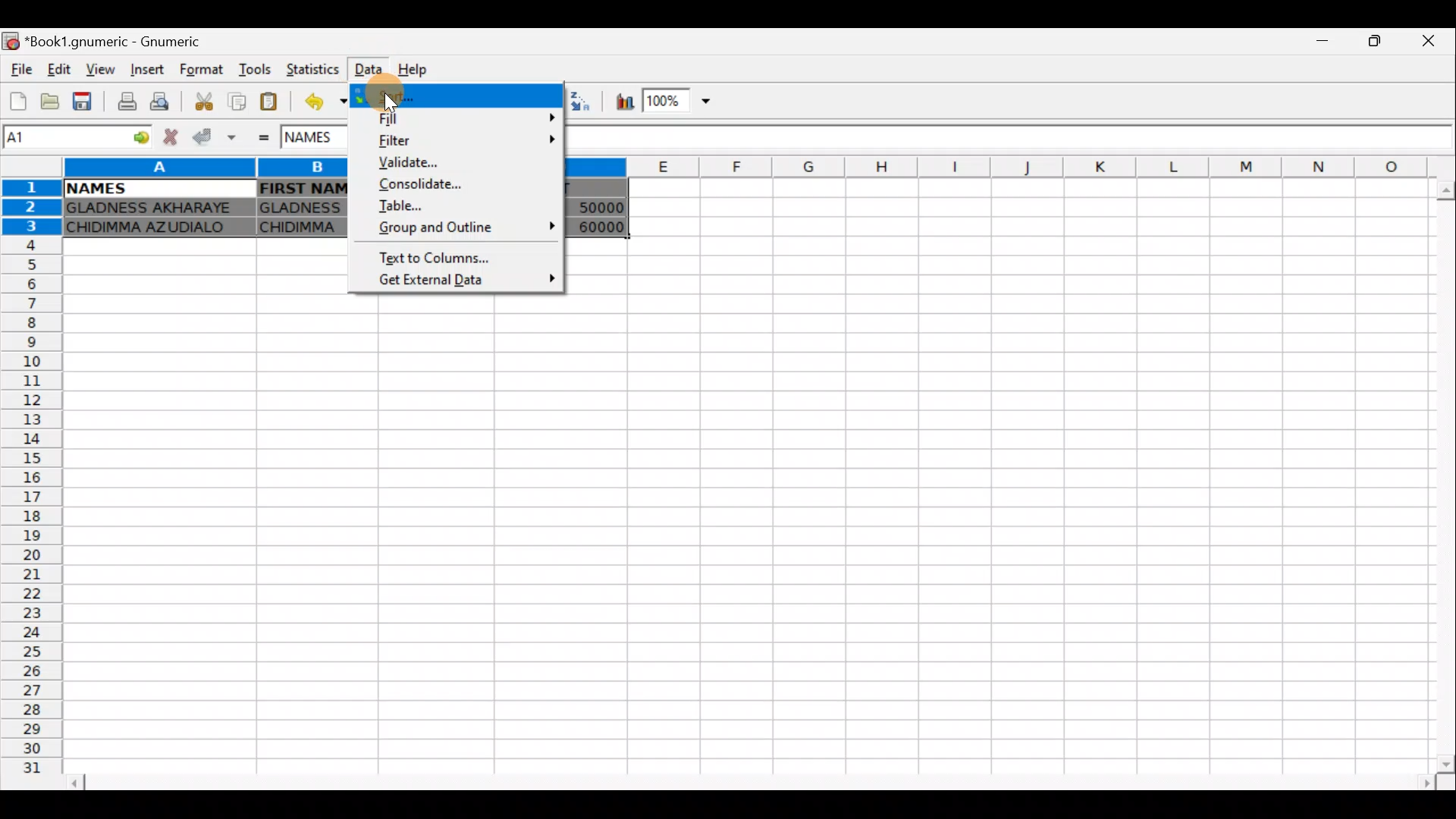 The image size is (1456, 819). What do you see at coordinates (85, 100) in the screenshot?
I see `Save current workbook` at bounding box center [85, 100].